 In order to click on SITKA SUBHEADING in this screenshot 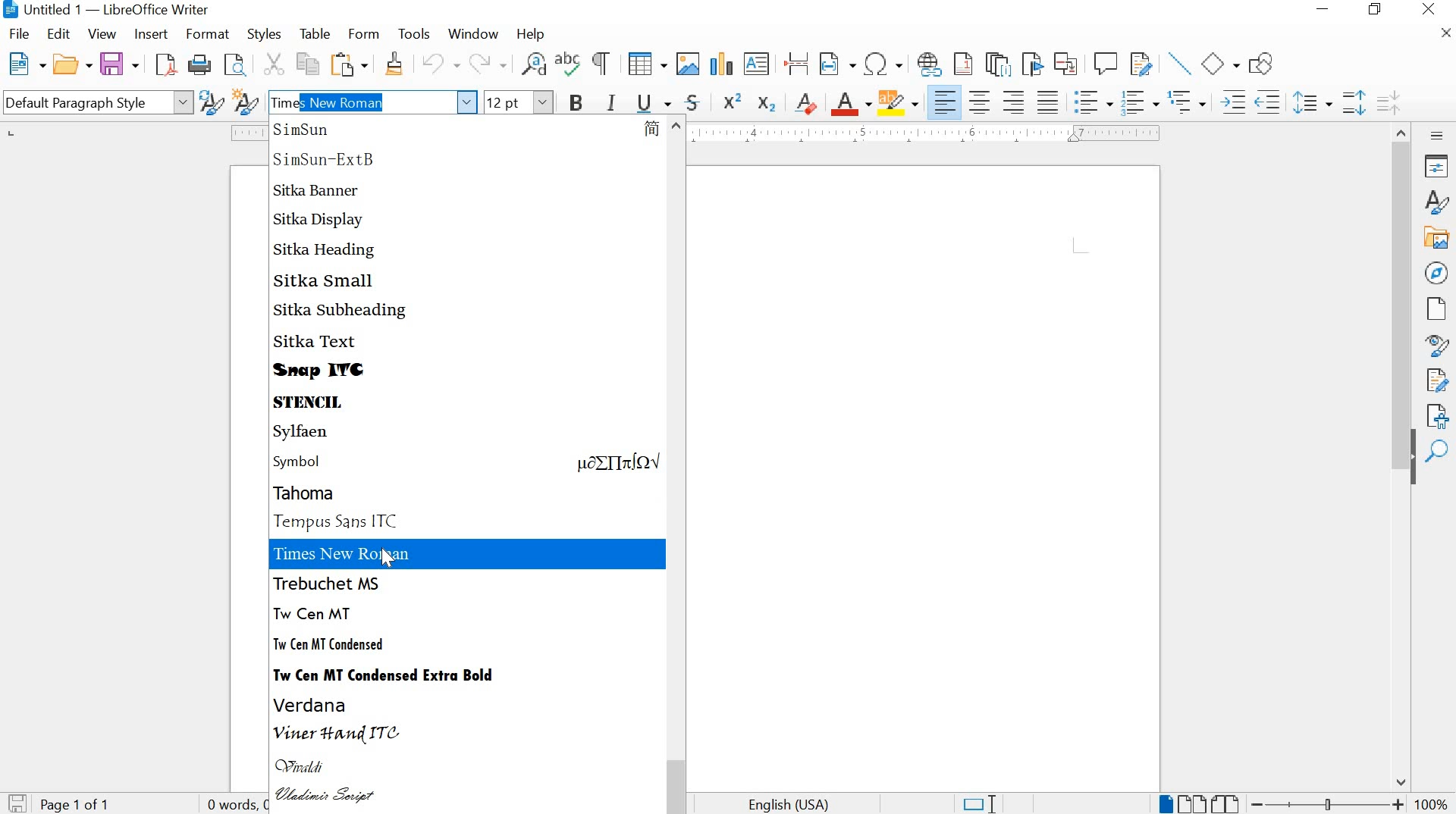, I will do `click(340, 312)`.